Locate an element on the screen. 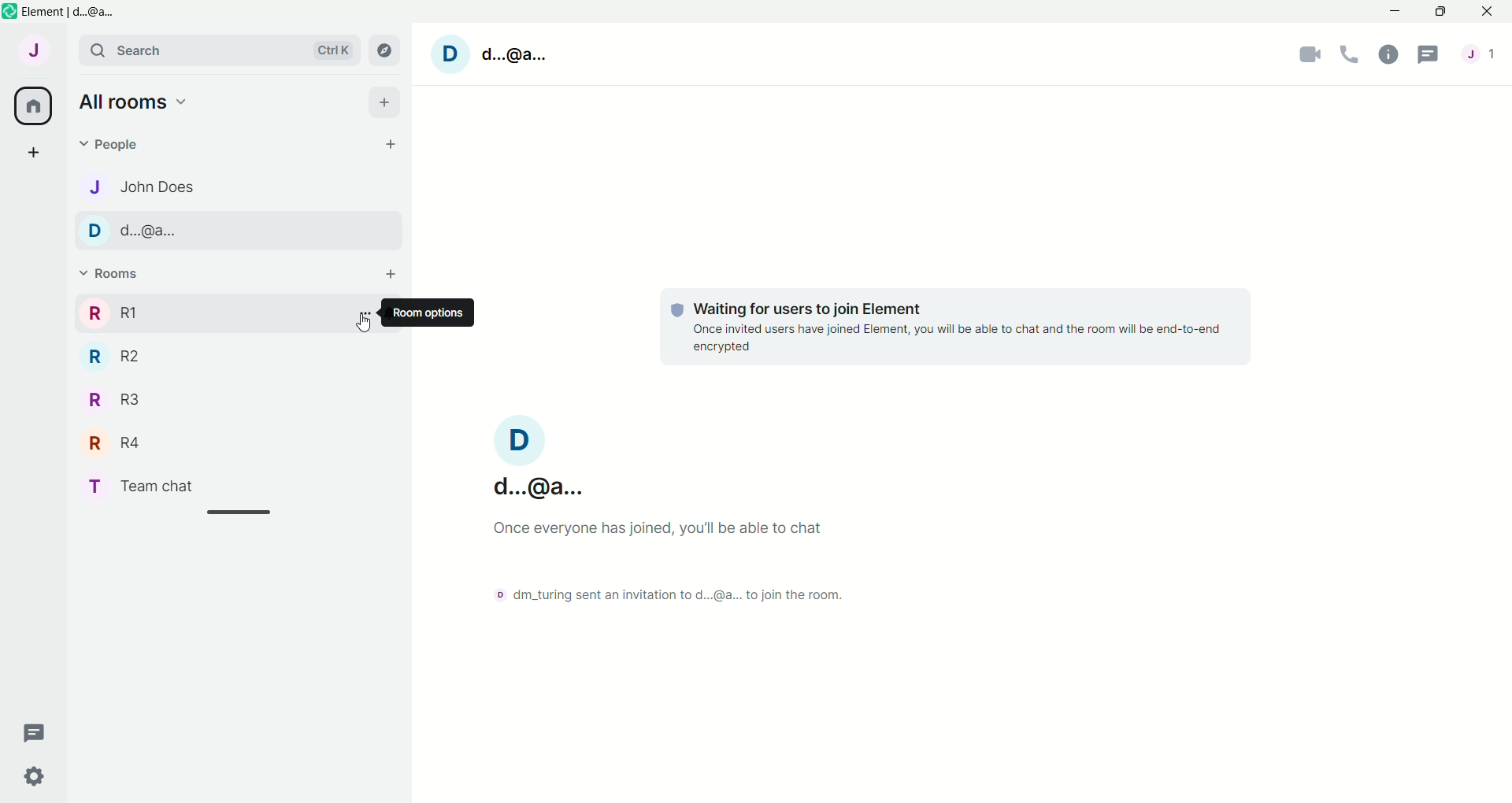 The height and width of the screenshot is (803, 1512). Home is located at coordinates (33, 107).